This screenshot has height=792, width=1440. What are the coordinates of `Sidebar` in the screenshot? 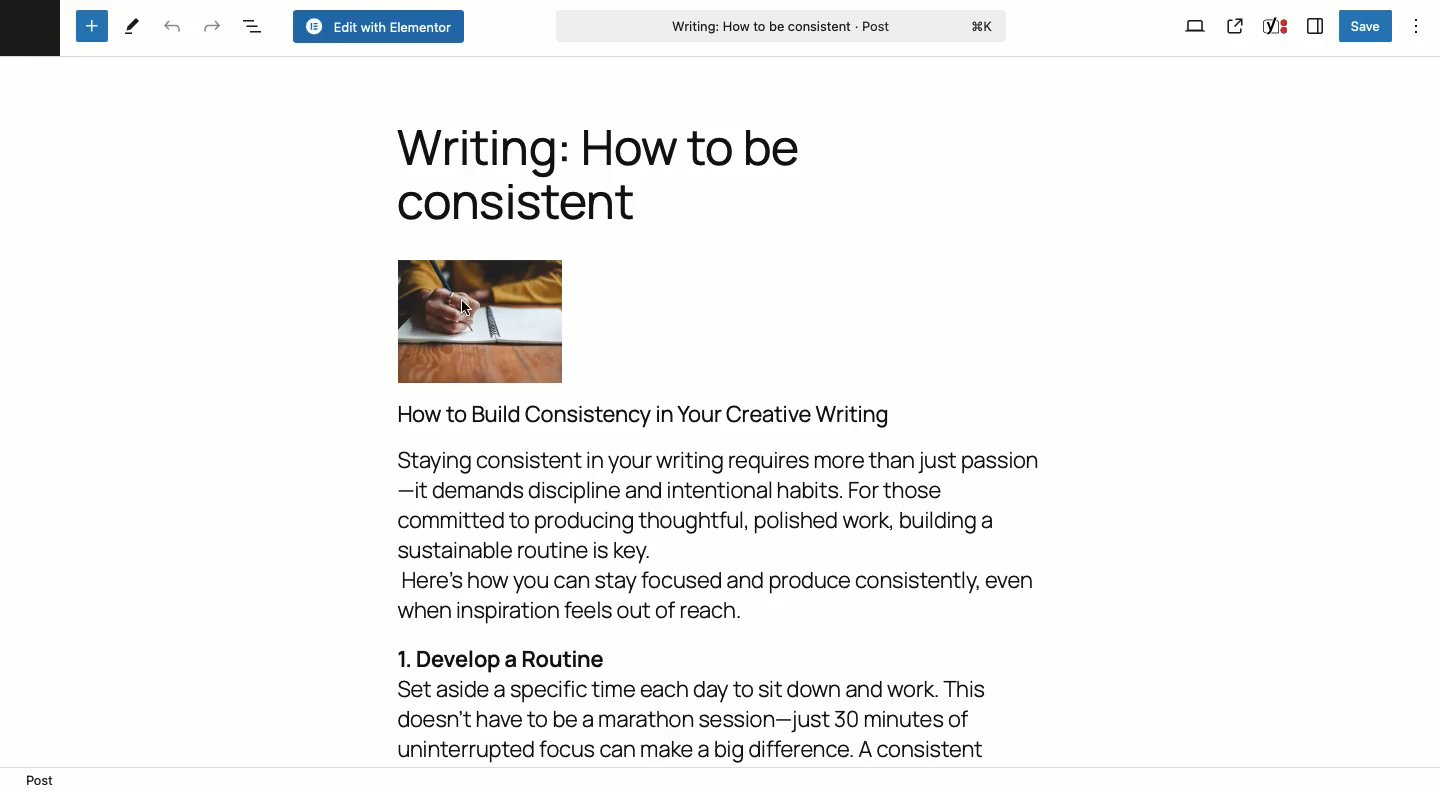 It's located at (1312, 27).